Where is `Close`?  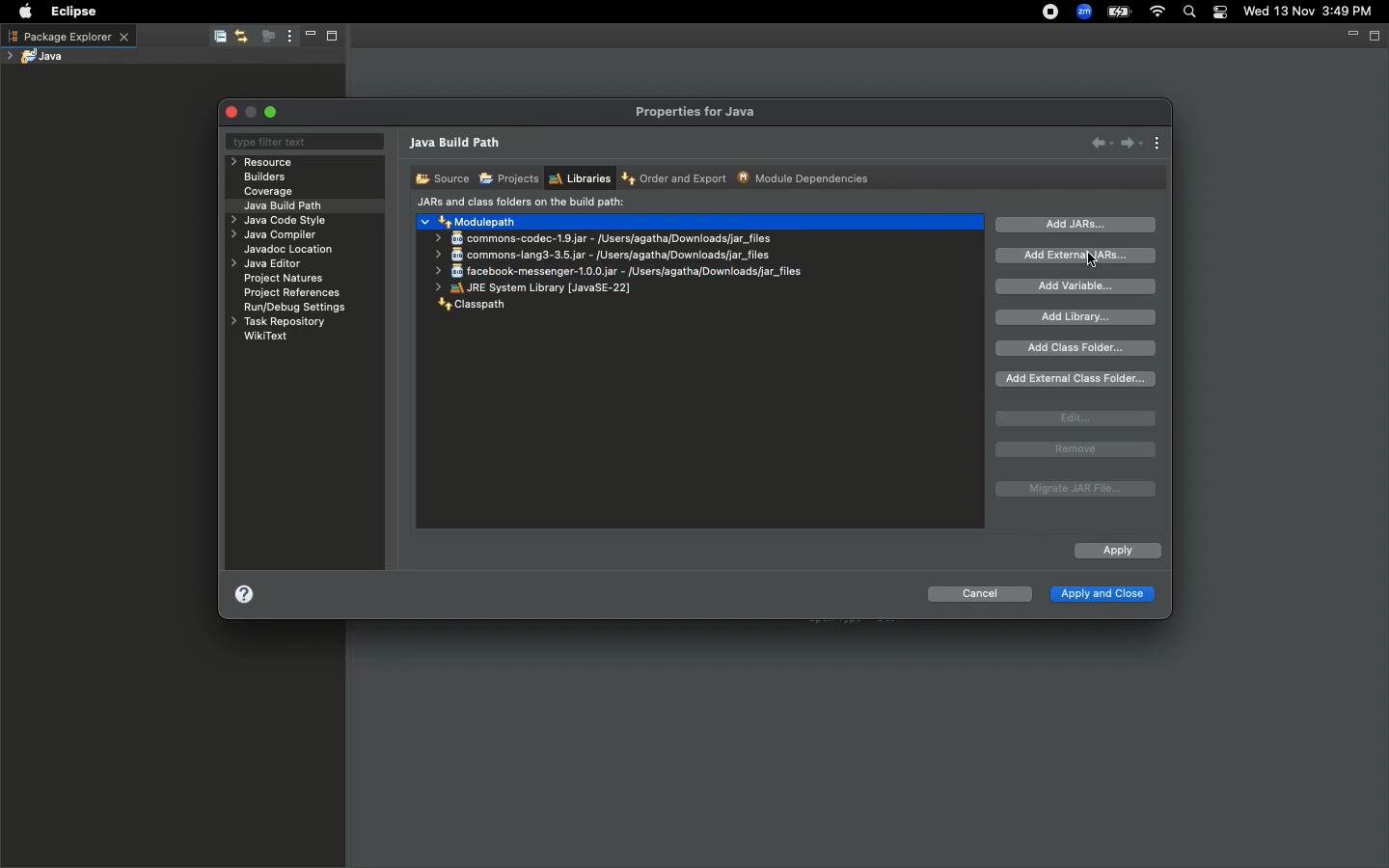 Close is located at coordinates (233, 112).